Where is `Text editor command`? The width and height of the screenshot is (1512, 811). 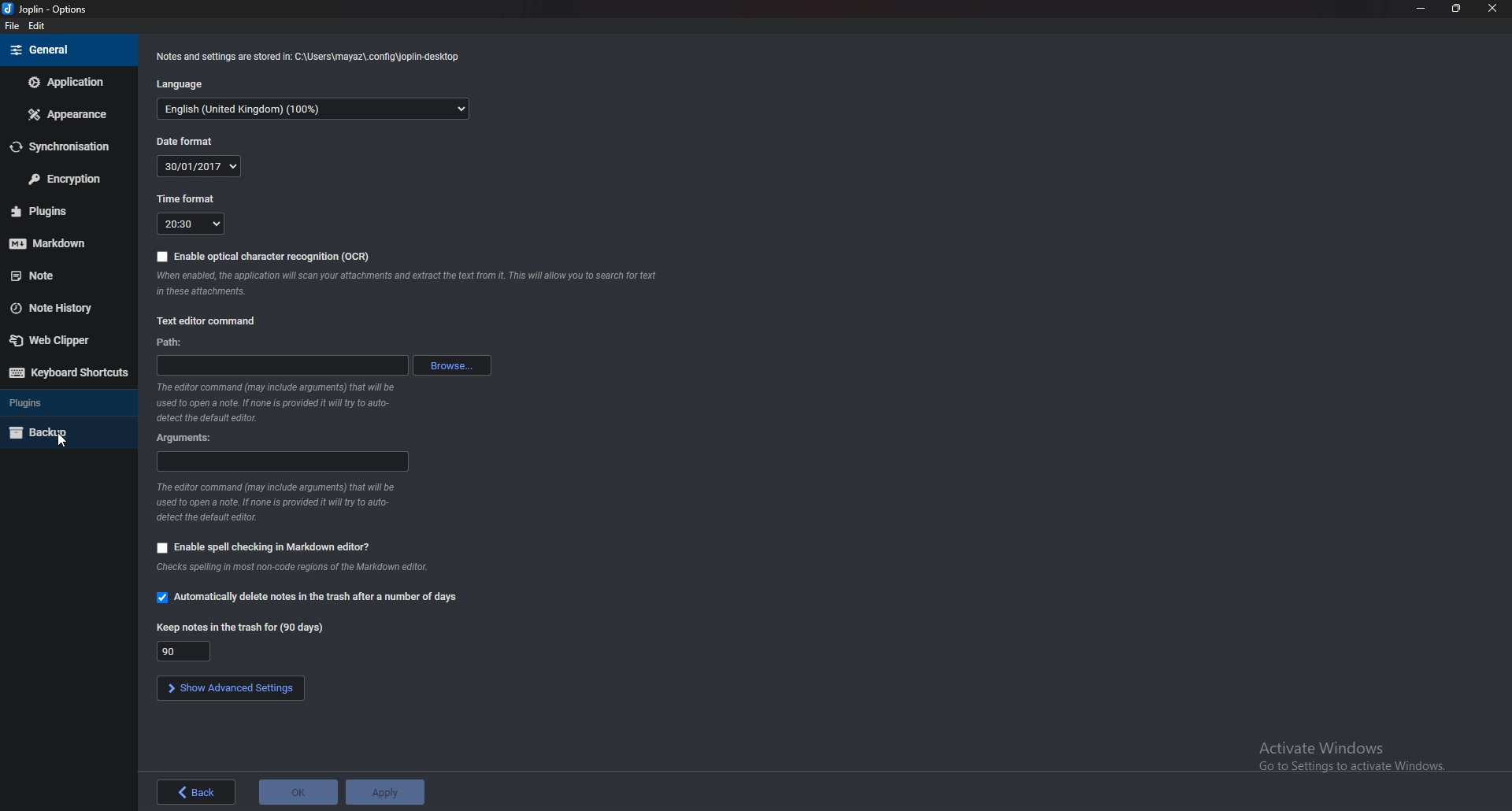
Text editor command is located at coordinates (206, 320).